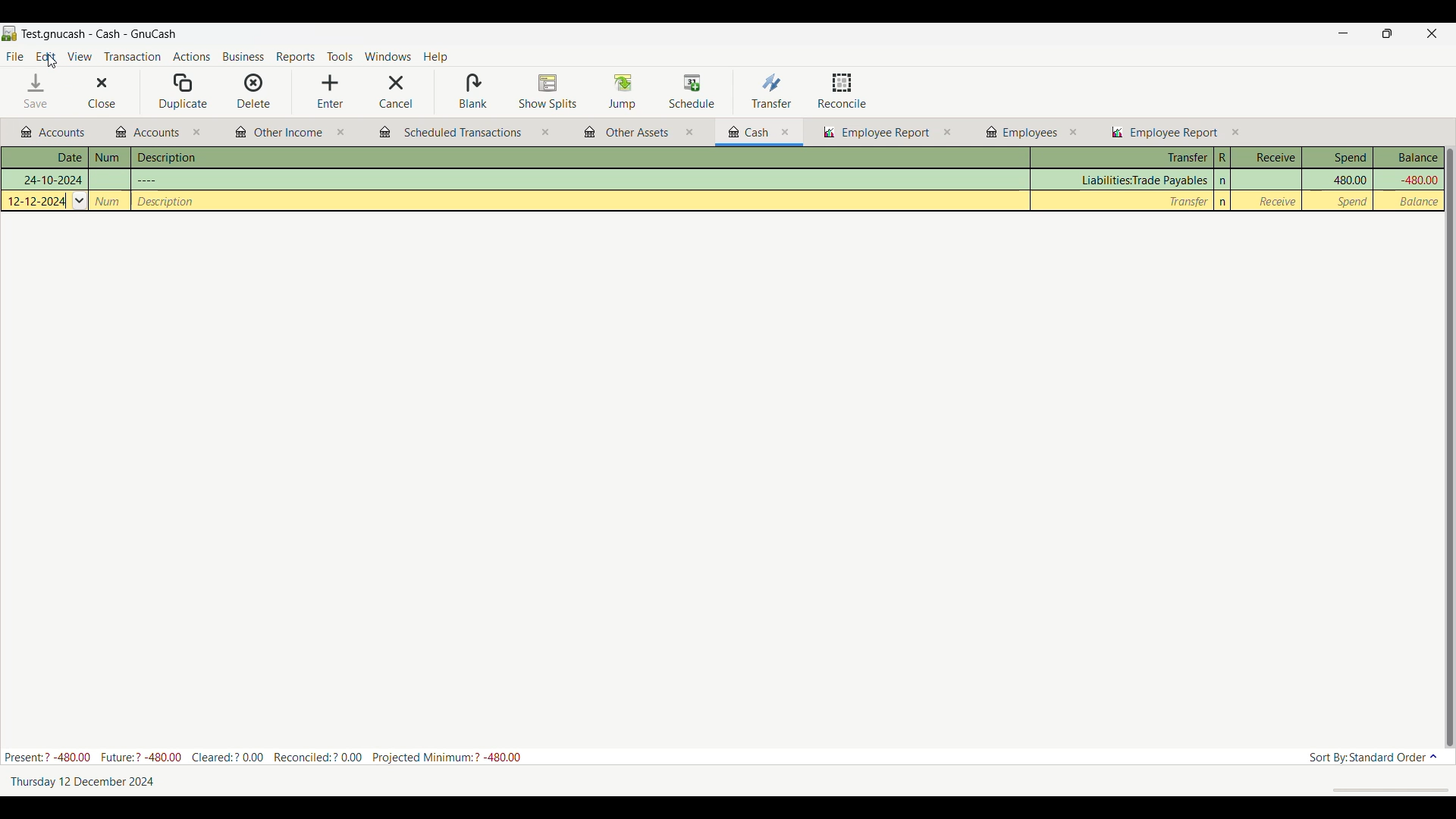 The height and width of the screenshot is (819, 1456). Describe the element at coordinates (388, 56) in the screenshot. I see `Windows menu` at that location.